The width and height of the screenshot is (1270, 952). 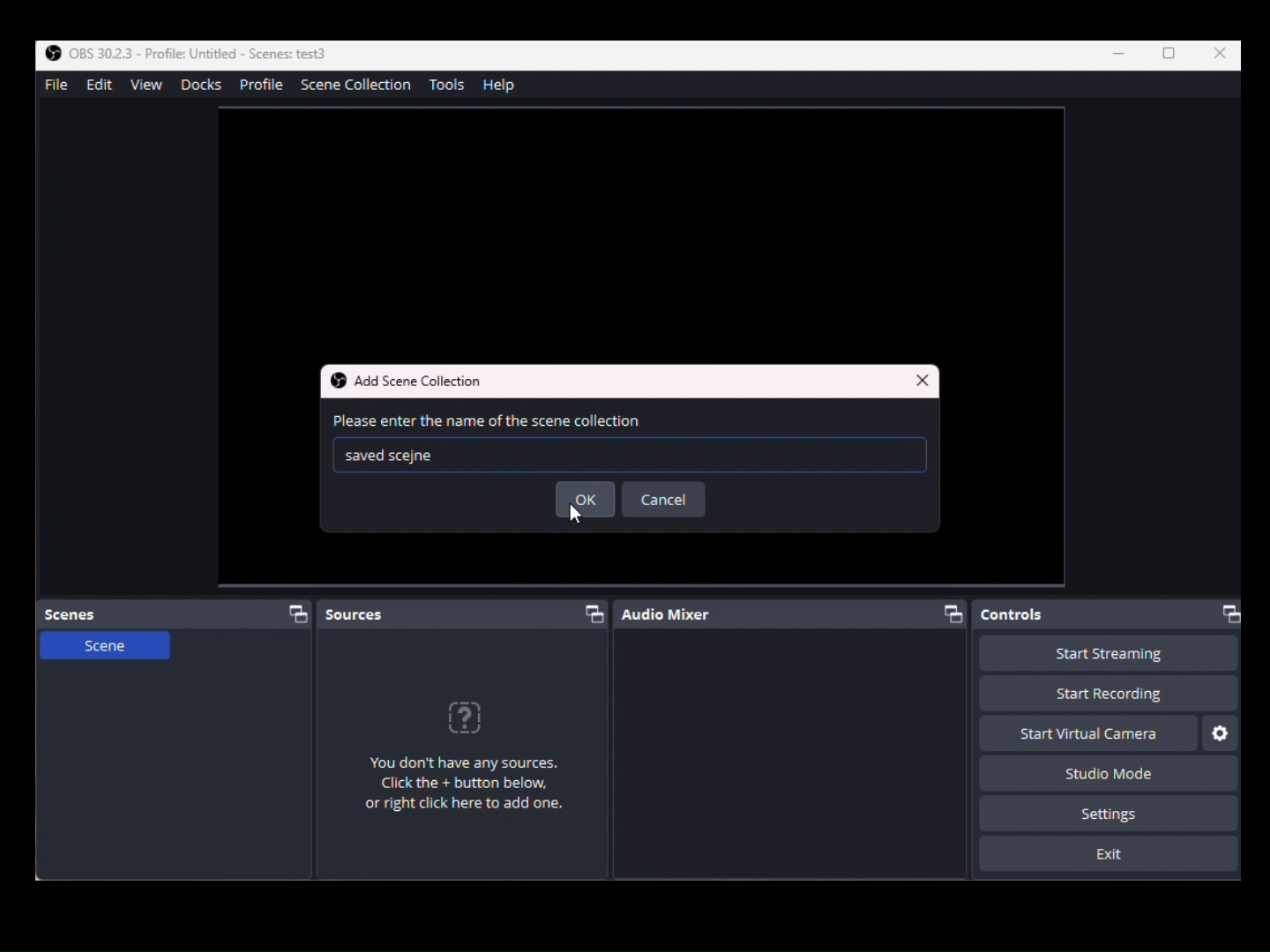 I want to click on cancel, so click(x=667, y=502).